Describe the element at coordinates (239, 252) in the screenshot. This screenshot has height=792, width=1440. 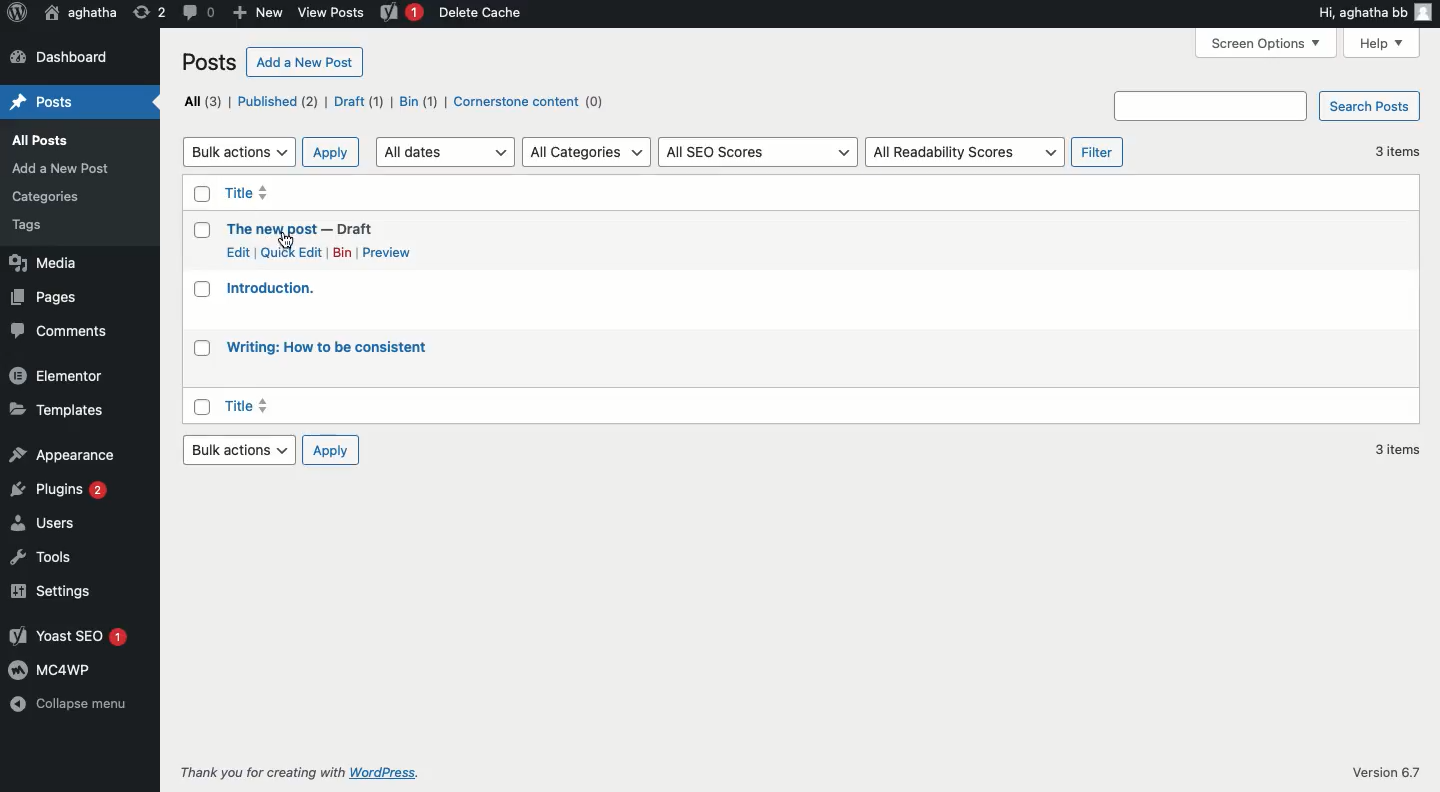
I see `Edit` at that location.